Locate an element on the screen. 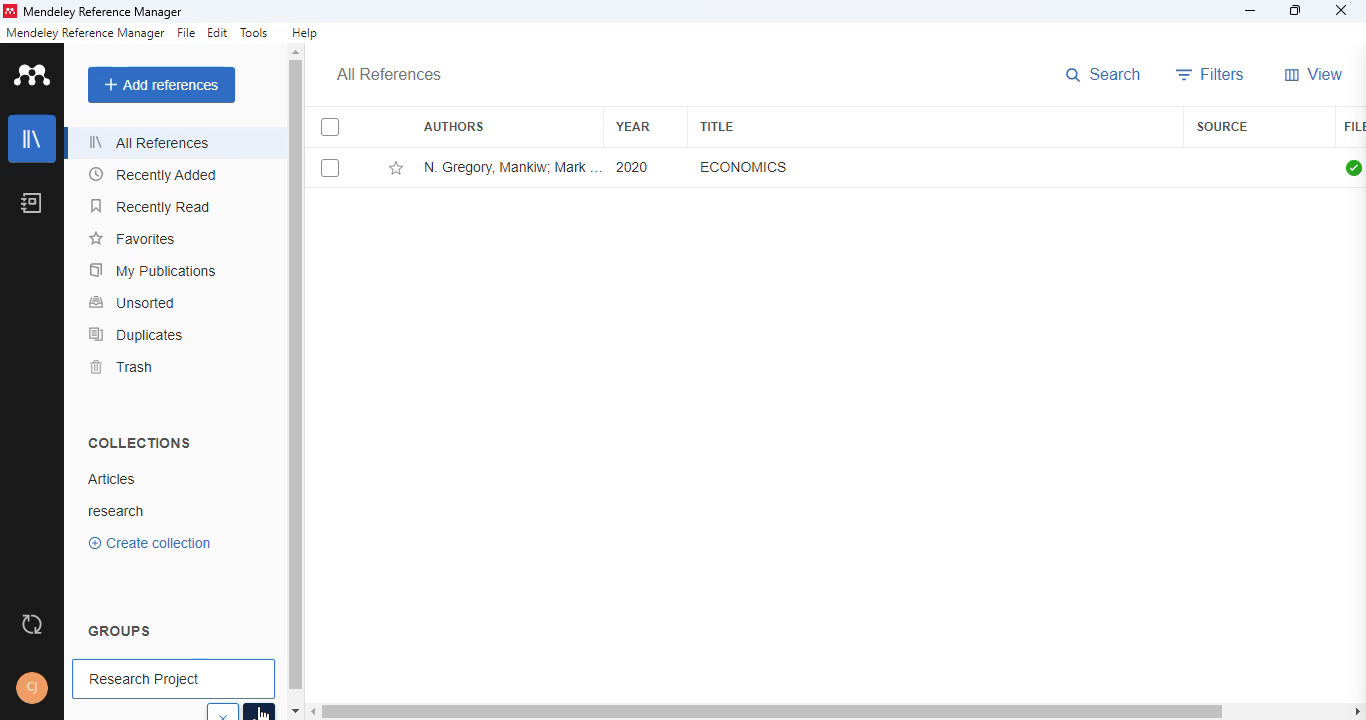 Image resolution: width=1366 pixels, height=720 pixels. 2020 is located at coordinates (633, 167).